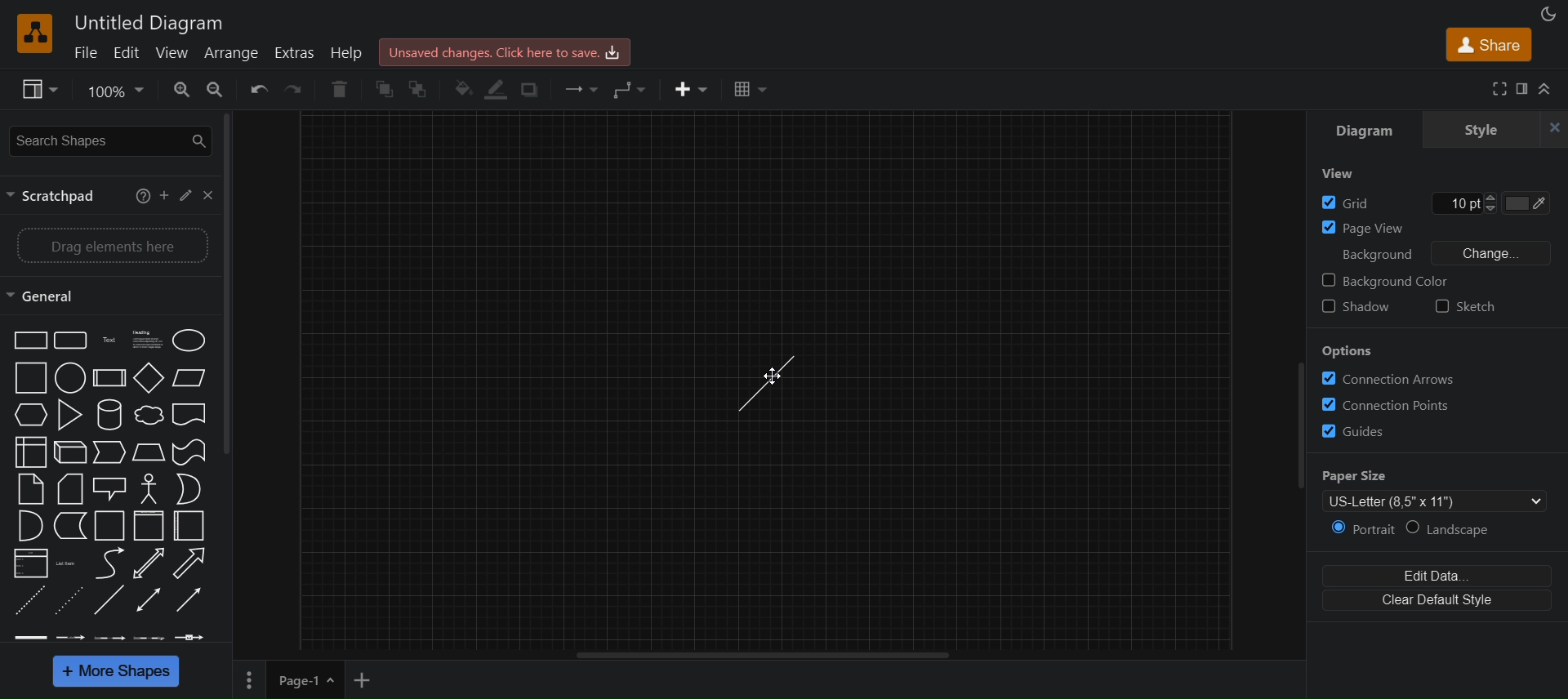 This screenshot has width=1568, height=699. Describe the element at coordinates (1364, 129) in the screenshot. I see `diagram` at that location.